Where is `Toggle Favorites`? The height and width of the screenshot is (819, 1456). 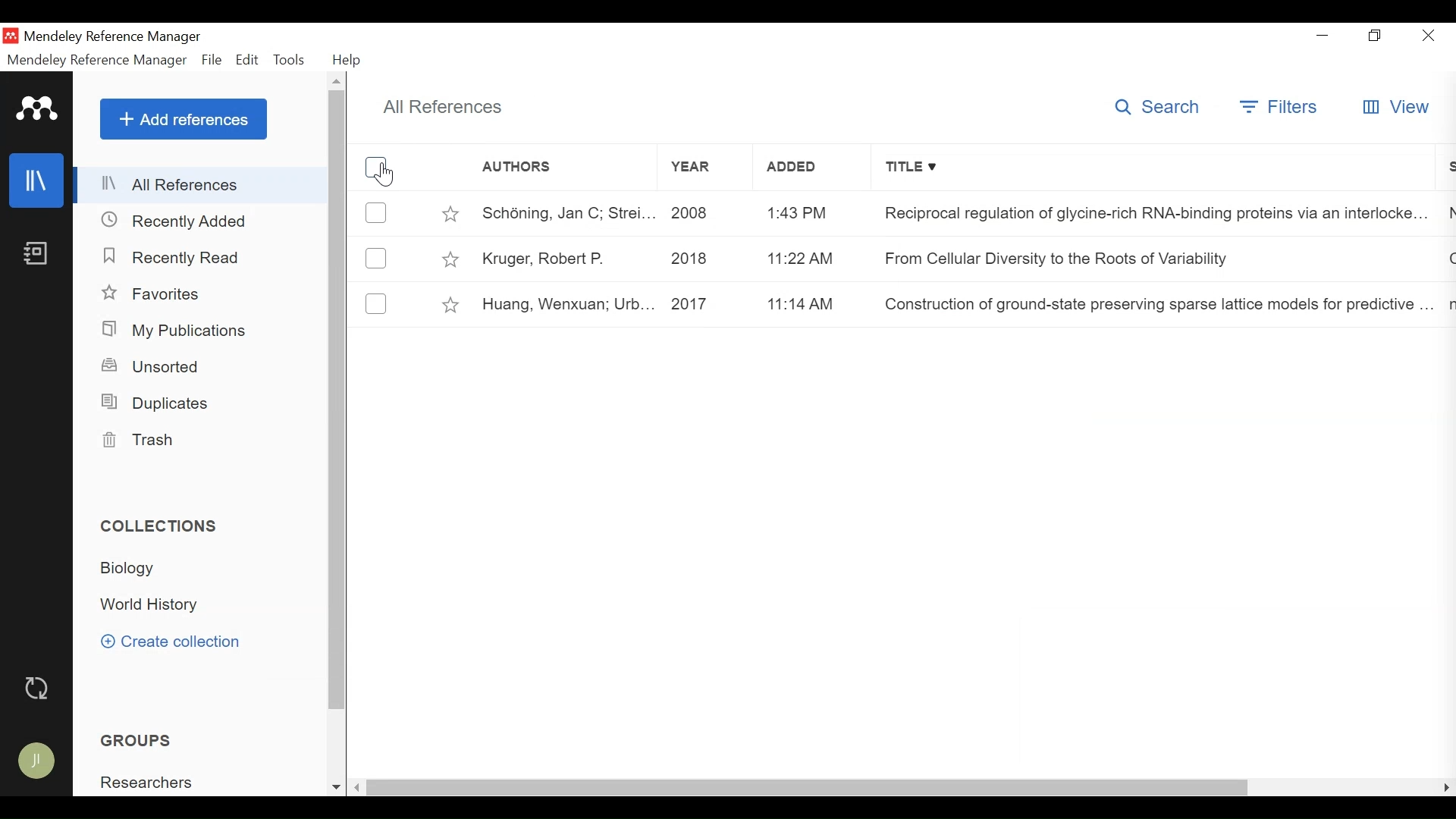 Toggle Favorites is located at coordinates (451, 212).